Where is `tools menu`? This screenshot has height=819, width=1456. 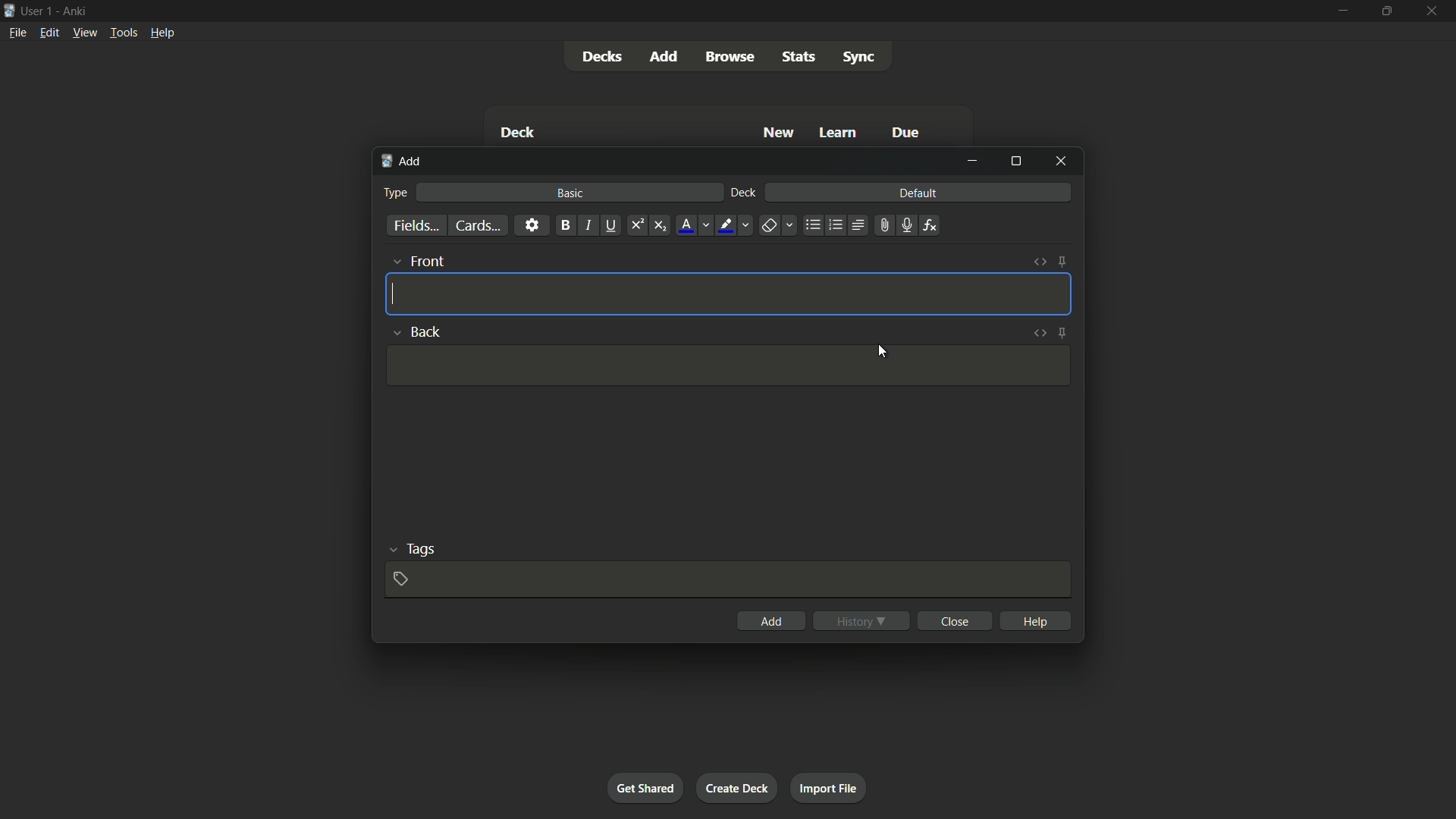
tools menu is located at coordinates (124, 32).